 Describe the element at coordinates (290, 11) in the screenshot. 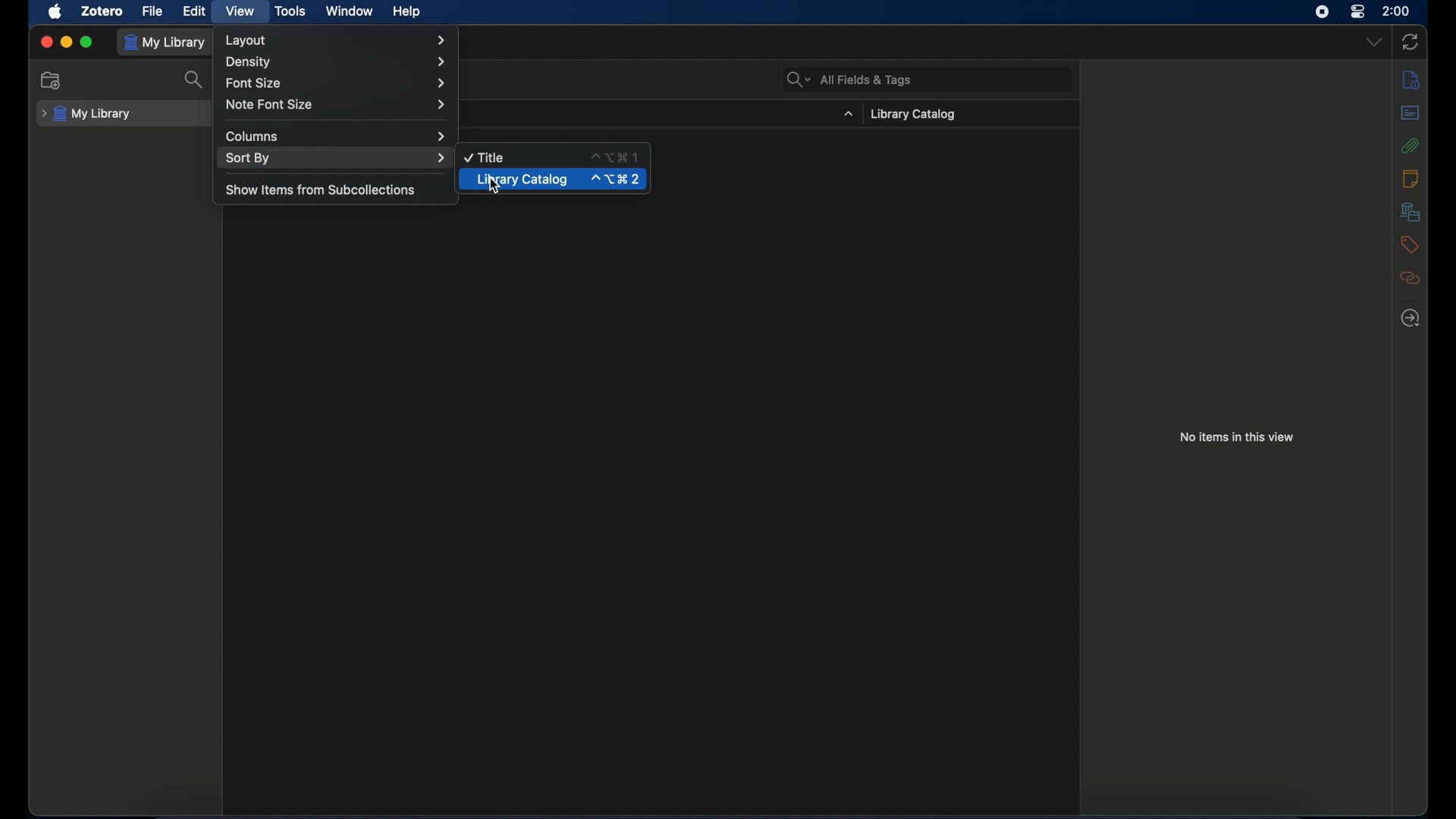

I see `tools` at that location.